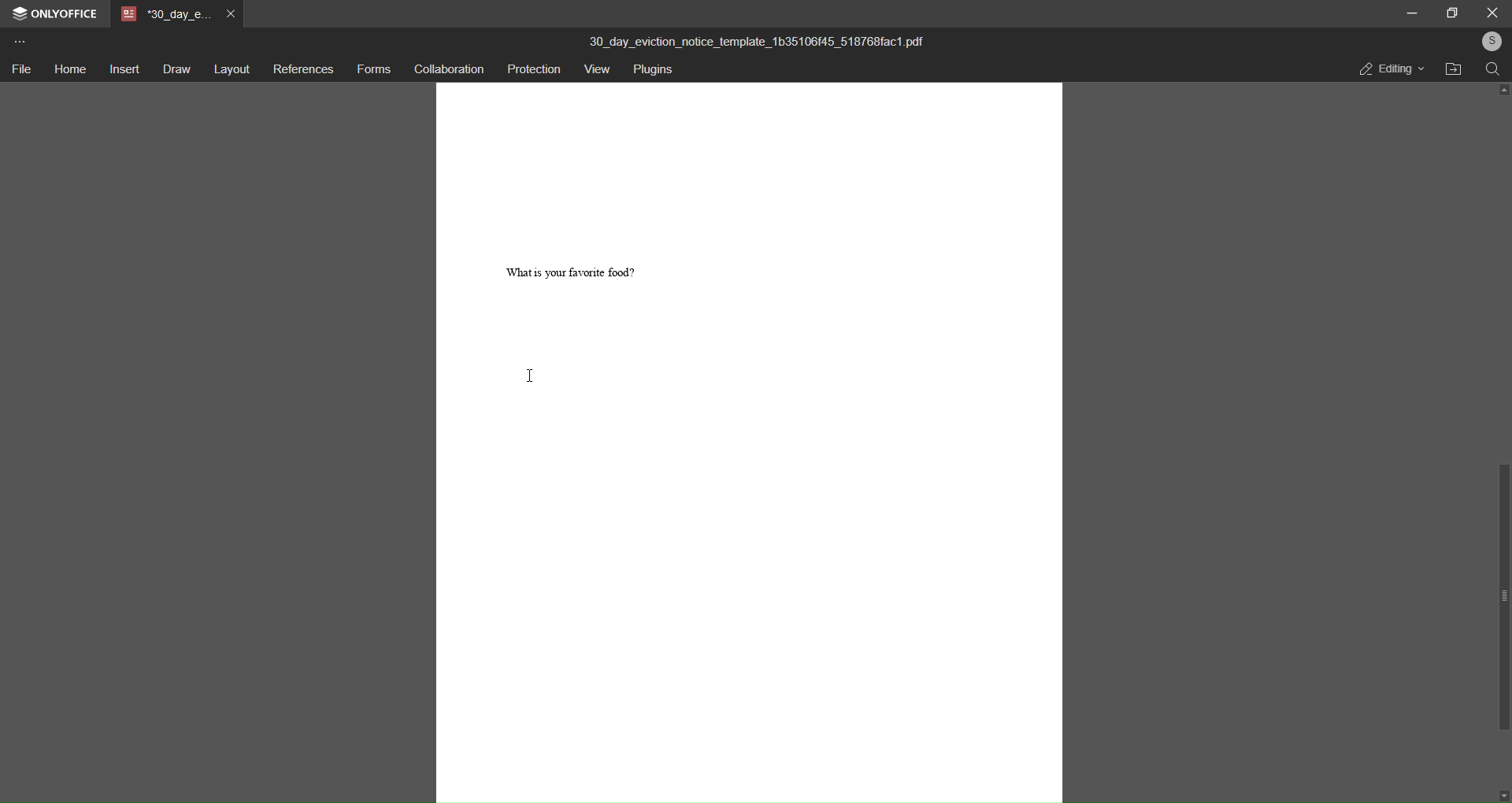 The image size is (1512, 803). What do you see at coordinates (1450, 68) in the screenshot?
I see `open file location` at bounding box center [1450, 68].